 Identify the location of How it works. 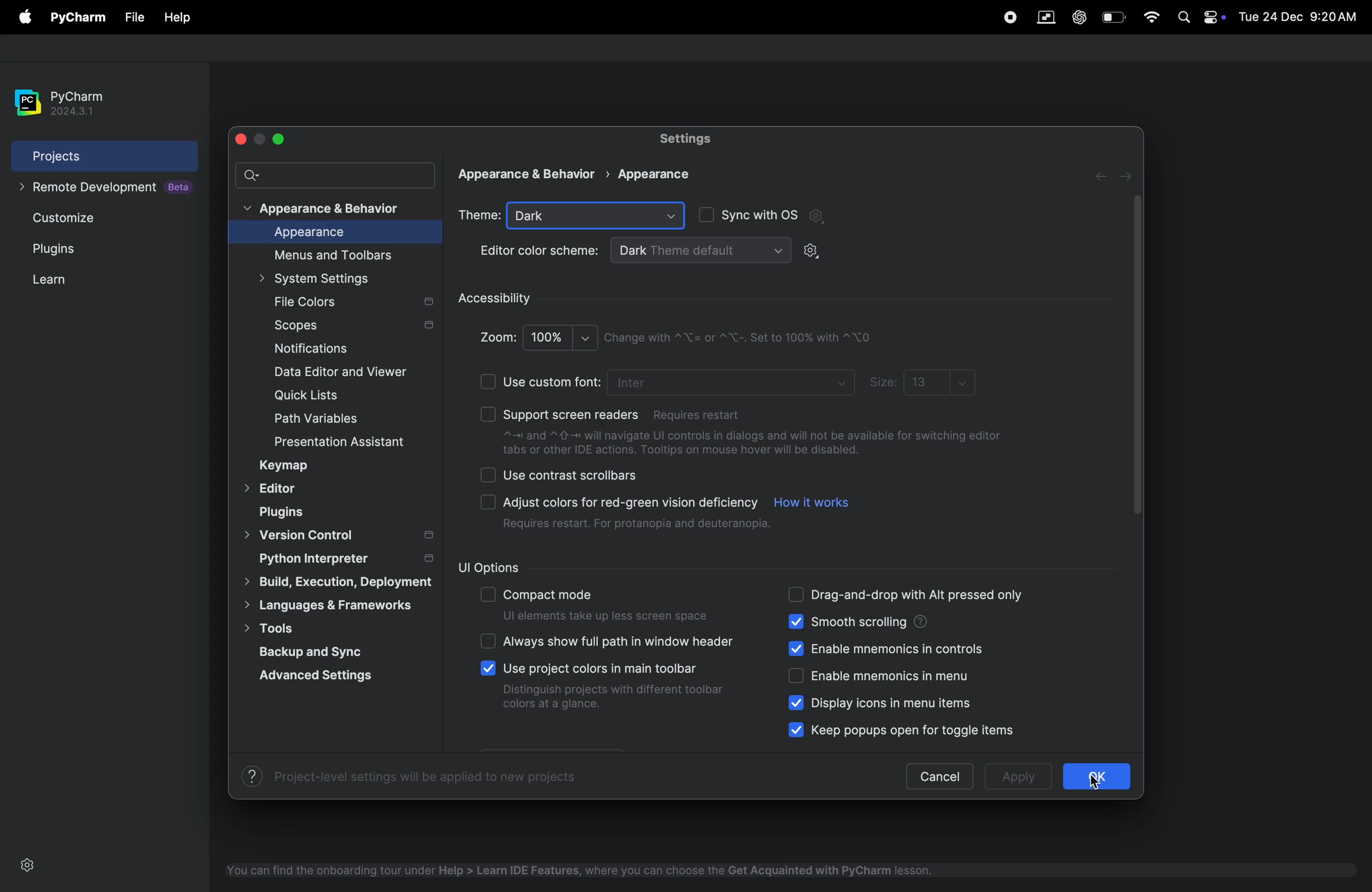
(811, 506).